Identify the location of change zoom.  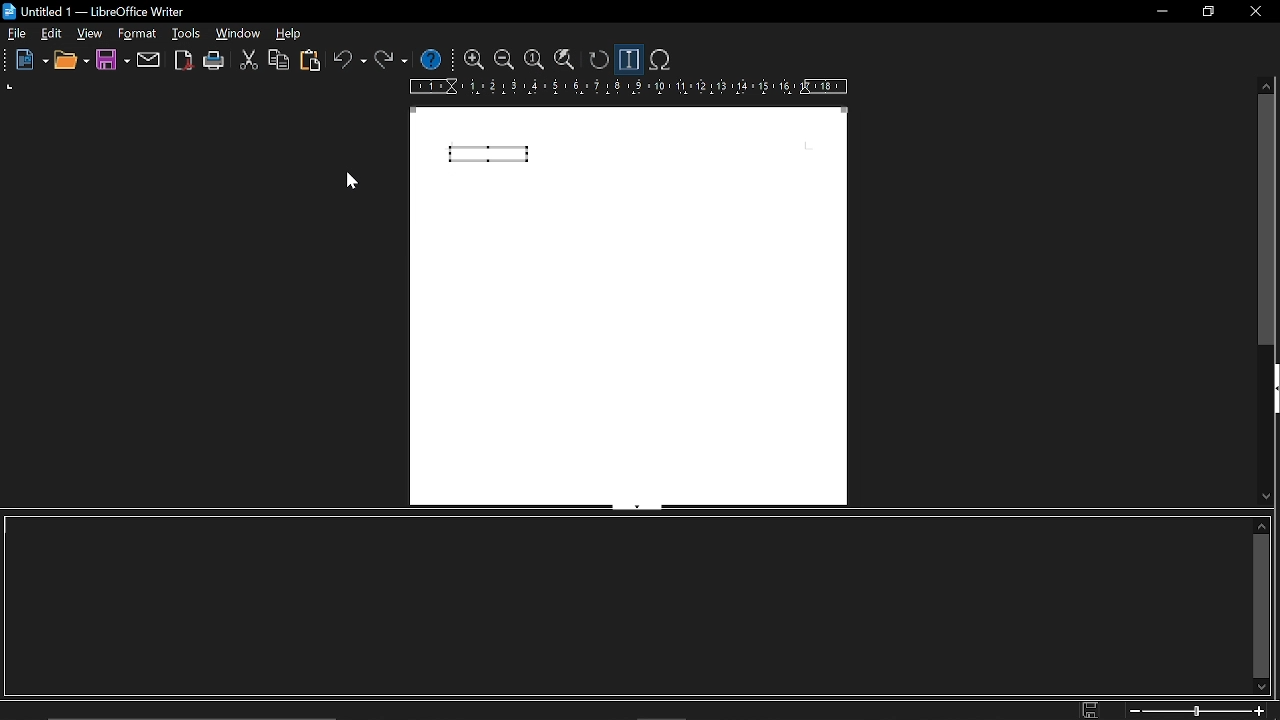
(1198, 711).